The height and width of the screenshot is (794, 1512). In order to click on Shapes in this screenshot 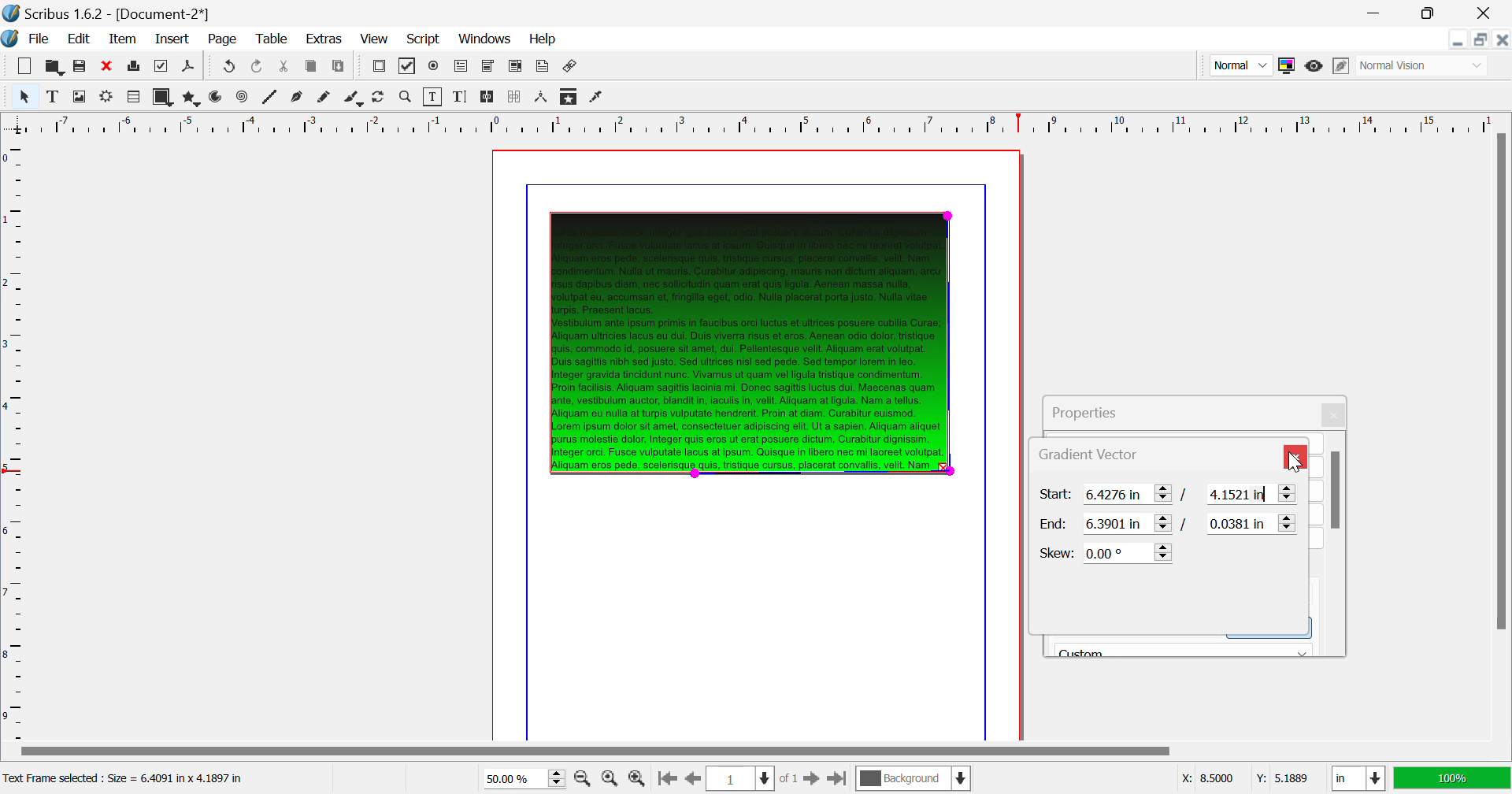, I will do `click(162, 97)`.